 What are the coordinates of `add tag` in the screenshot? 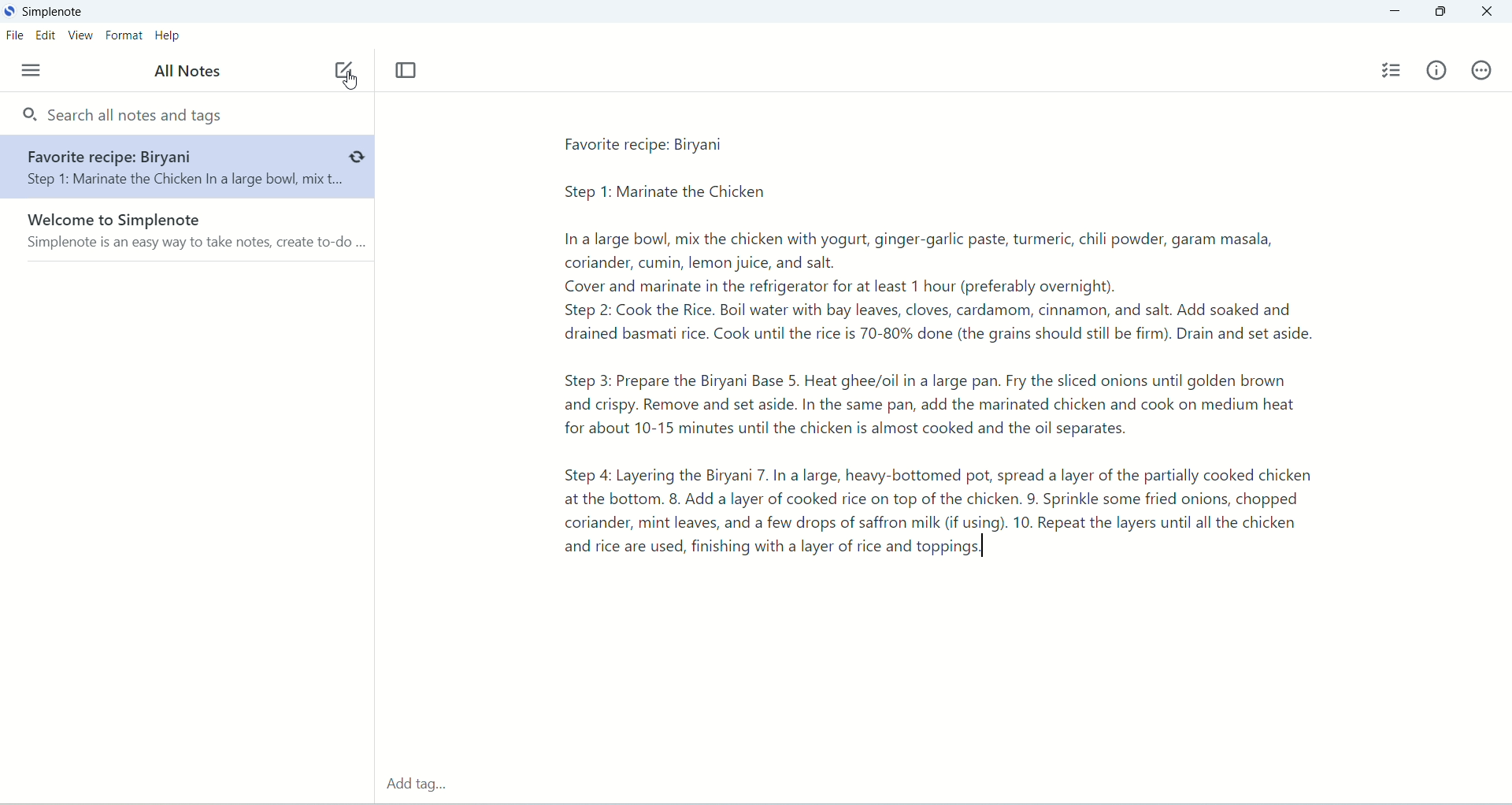 It's located at (424, 779).